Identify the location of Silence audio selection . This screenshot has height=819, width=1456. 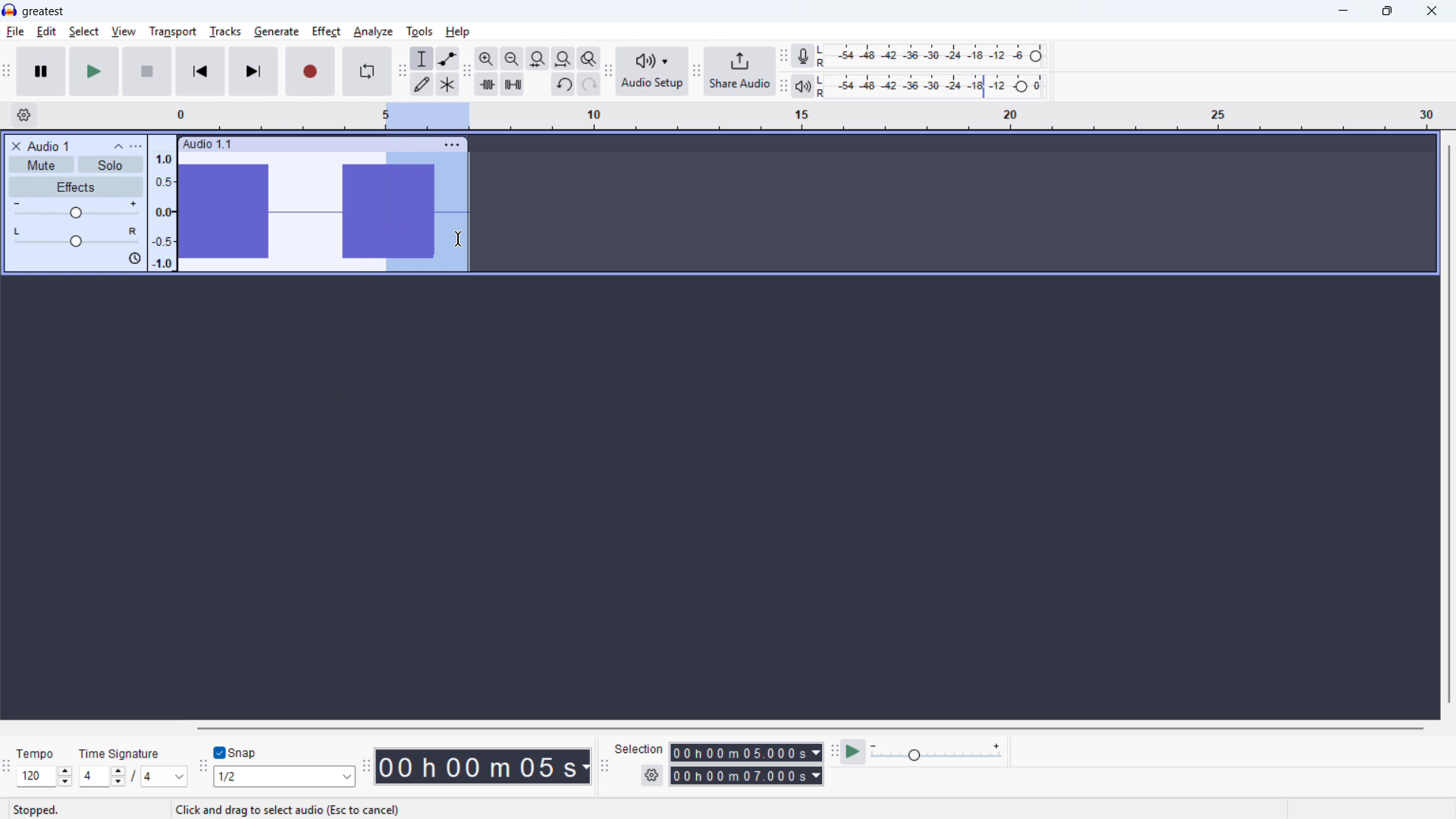
(512, 84).